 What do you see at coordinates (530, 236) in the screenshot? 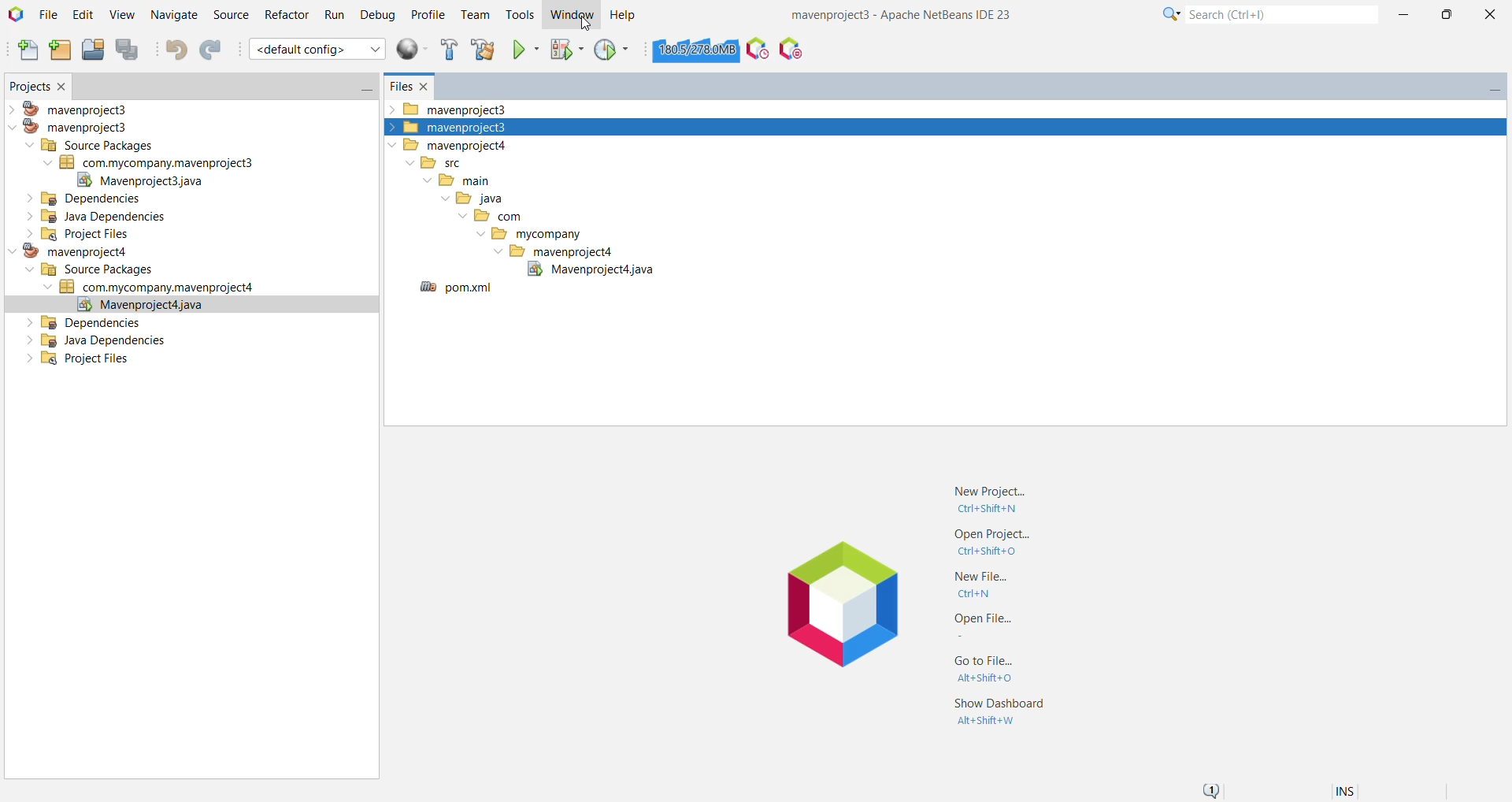
I see `mycompany` at bounding box center [530, 236].